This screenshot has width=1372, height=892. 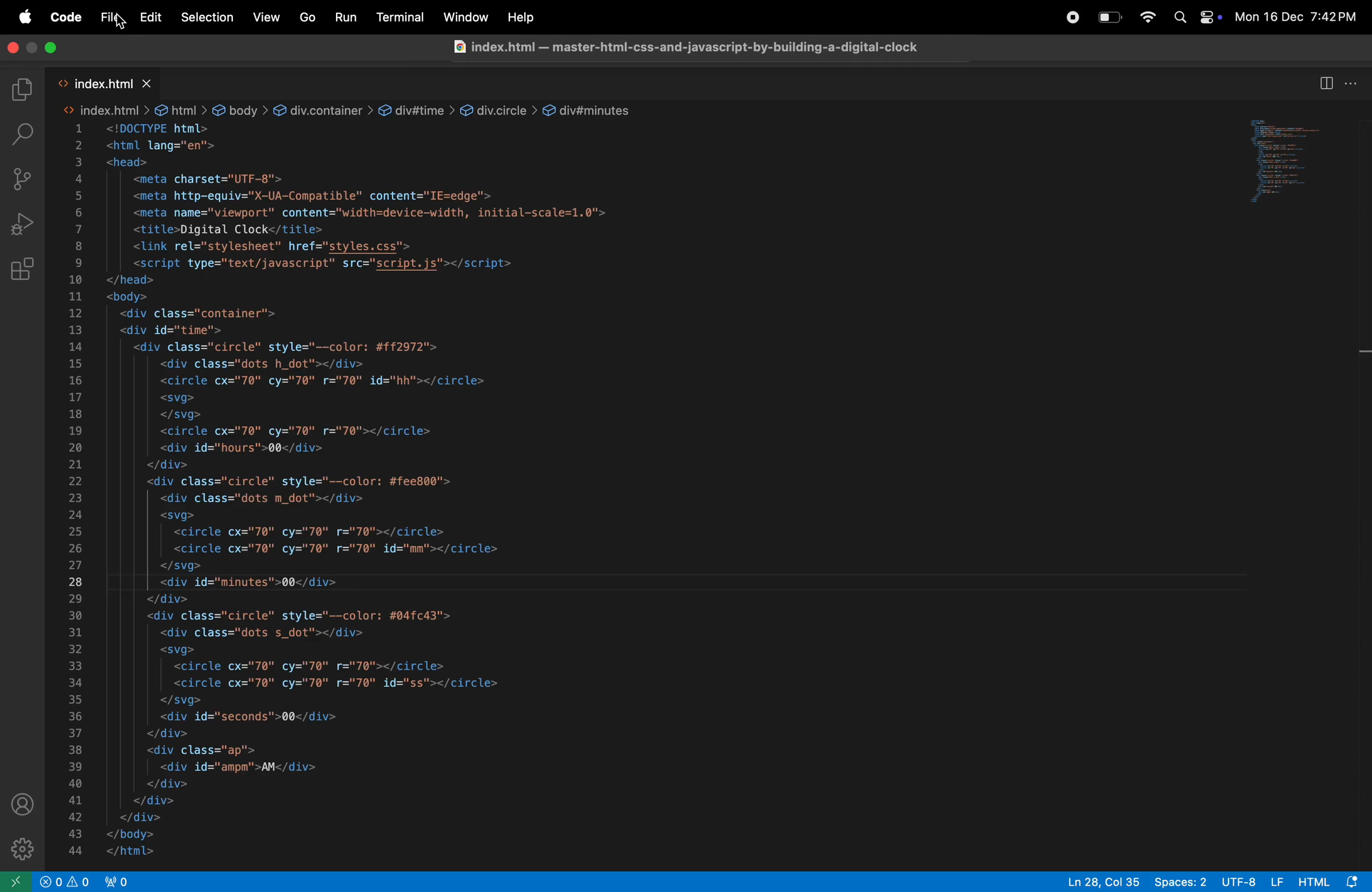 I want to click on Selection, so click(x=207, y=17).